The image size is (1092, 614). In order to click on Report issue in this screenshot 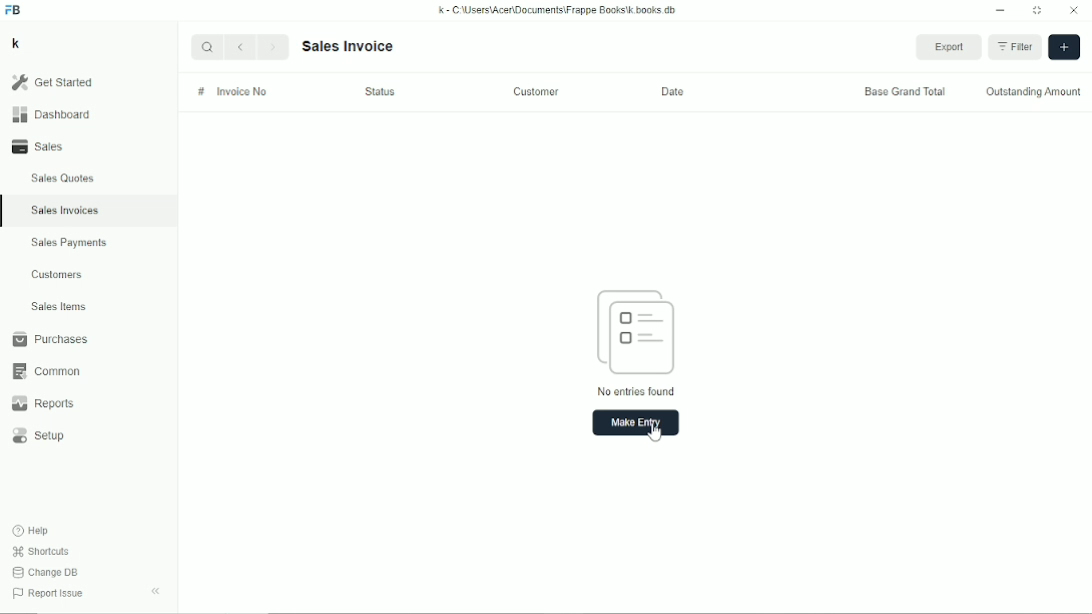, I will do `click(46, 595)`.